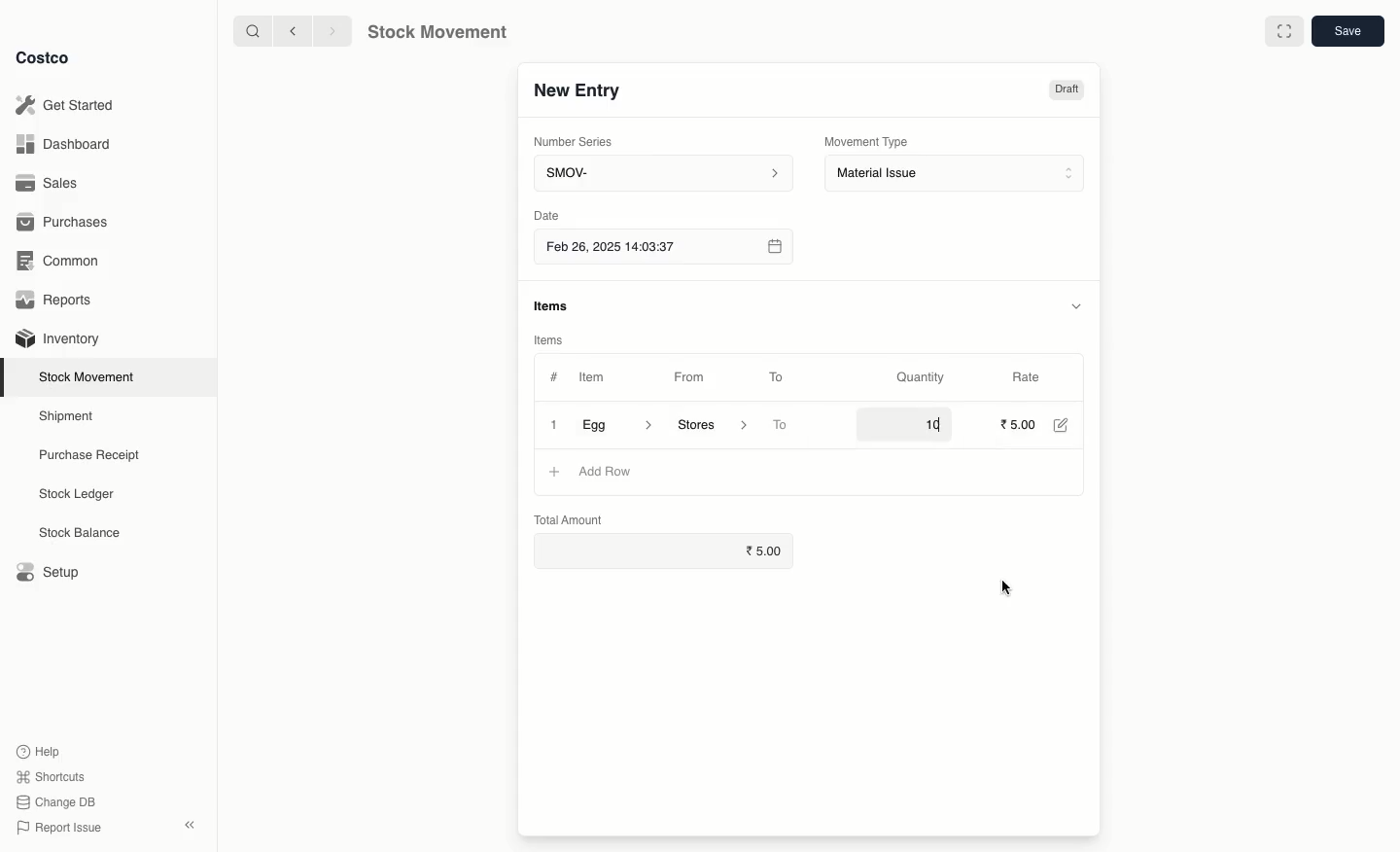 The width and height of the screenshot is (1400, 852). Describe the element at coordinates (46, 570) in the screenshot. I see `Setup` at that location.